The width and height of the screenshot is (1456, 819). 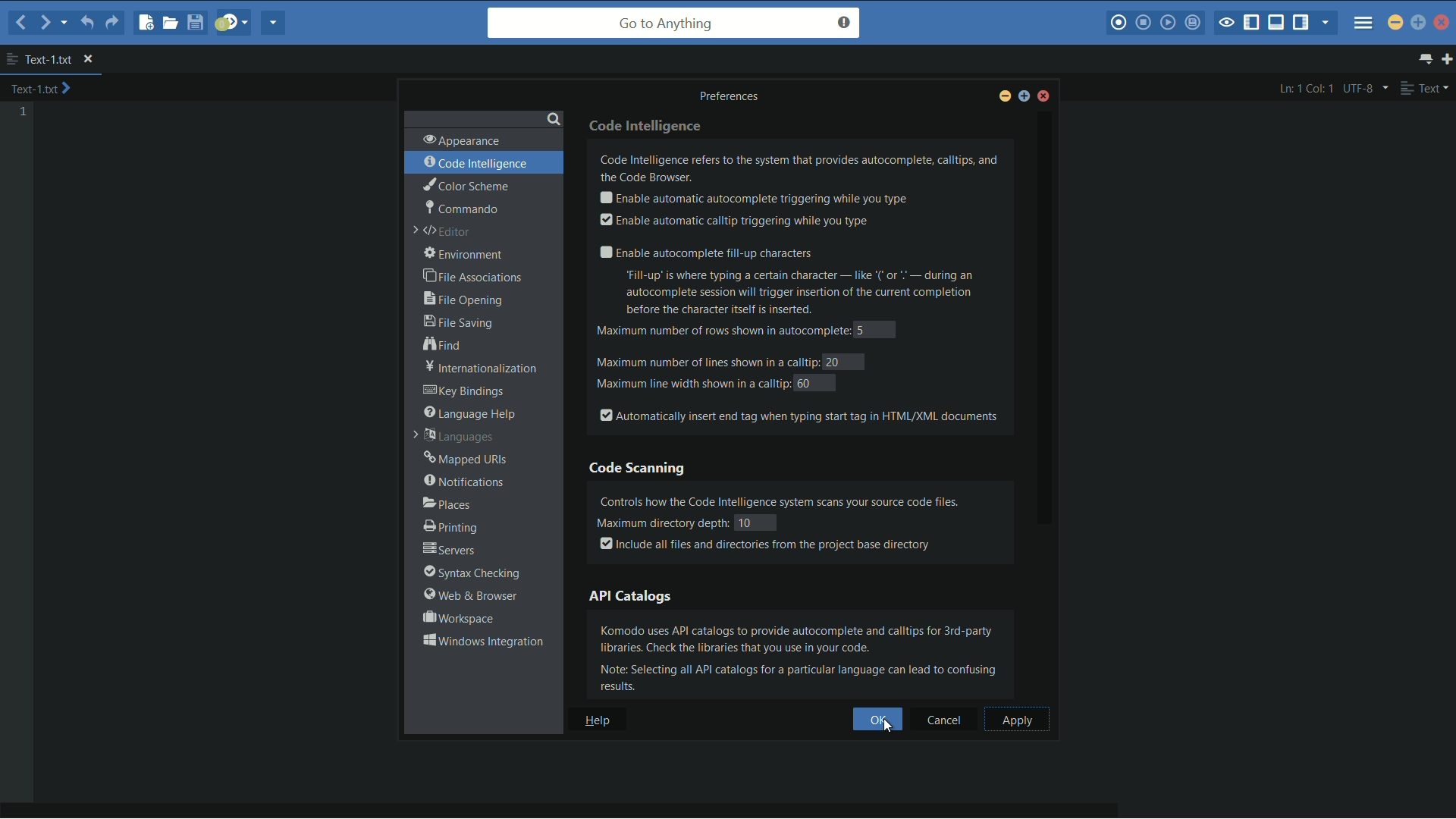 What do you see at coordinates (39, 59) in the screenshot?
I see `text-1.txt` at bounding box center [39, 59].